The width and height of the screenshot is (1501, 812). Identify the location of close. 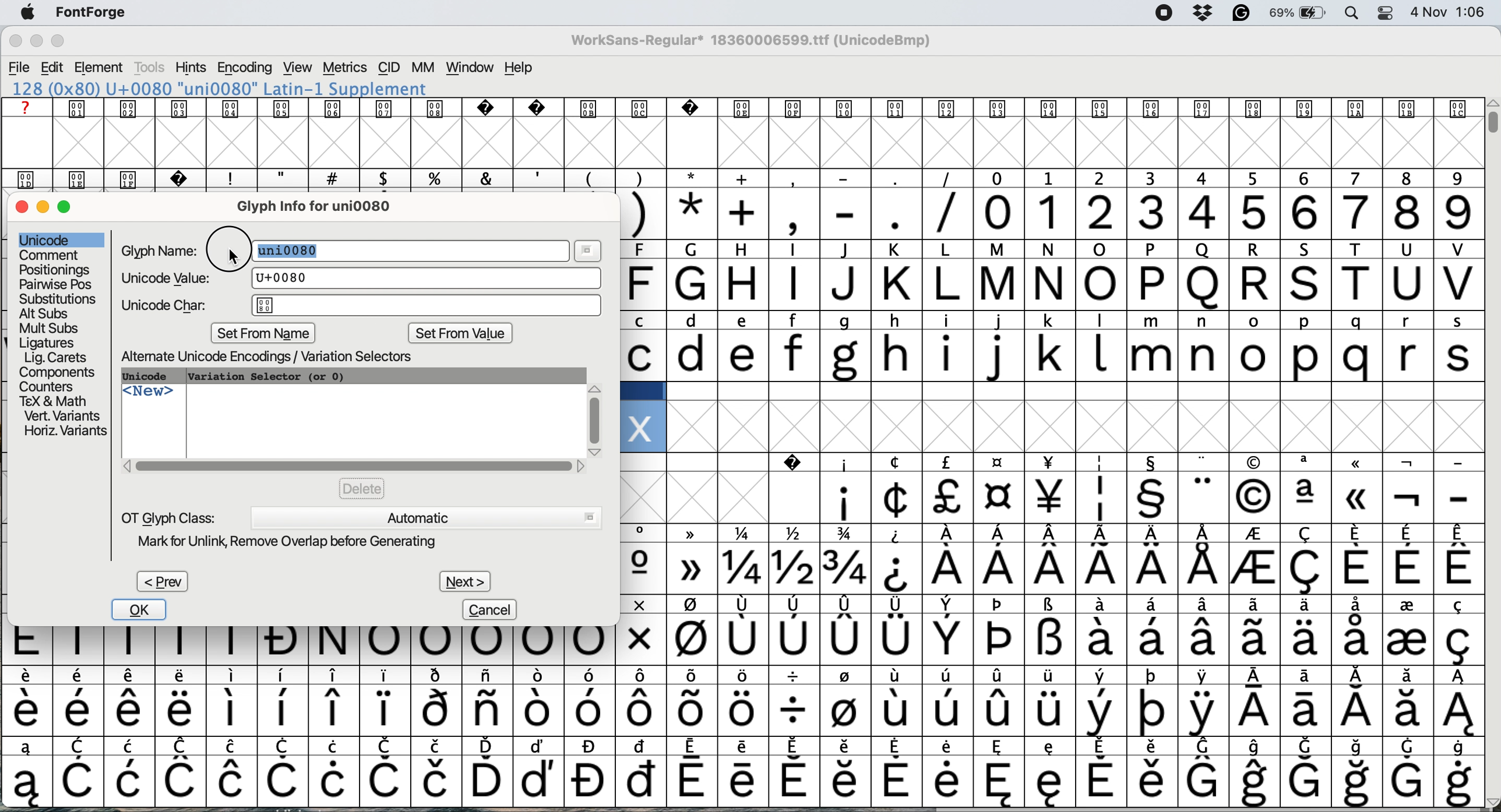
(22, 208).